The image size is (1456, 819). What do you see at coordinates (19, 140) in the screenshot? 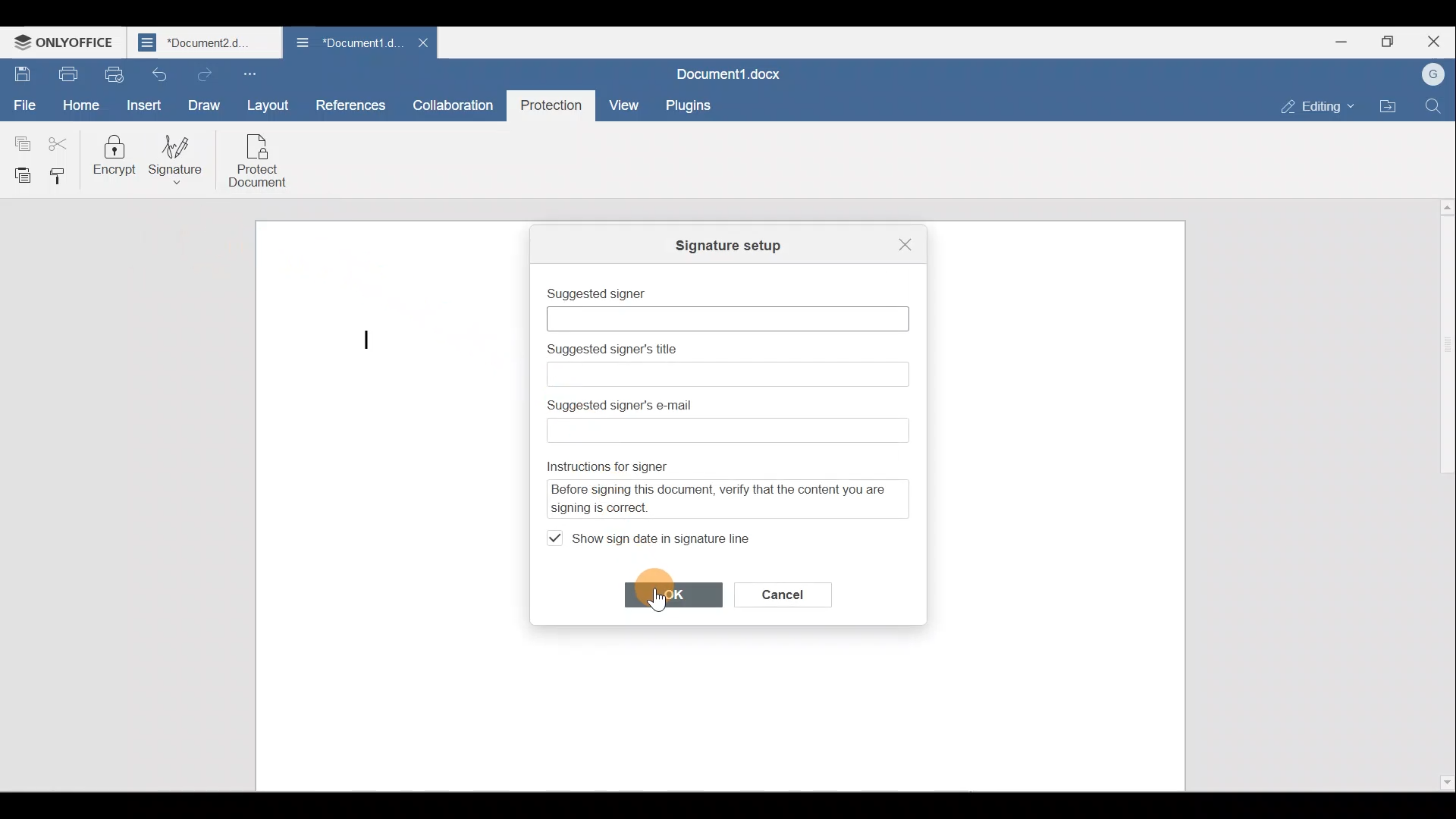
I see `Copy` at bounding box center [19, 140].